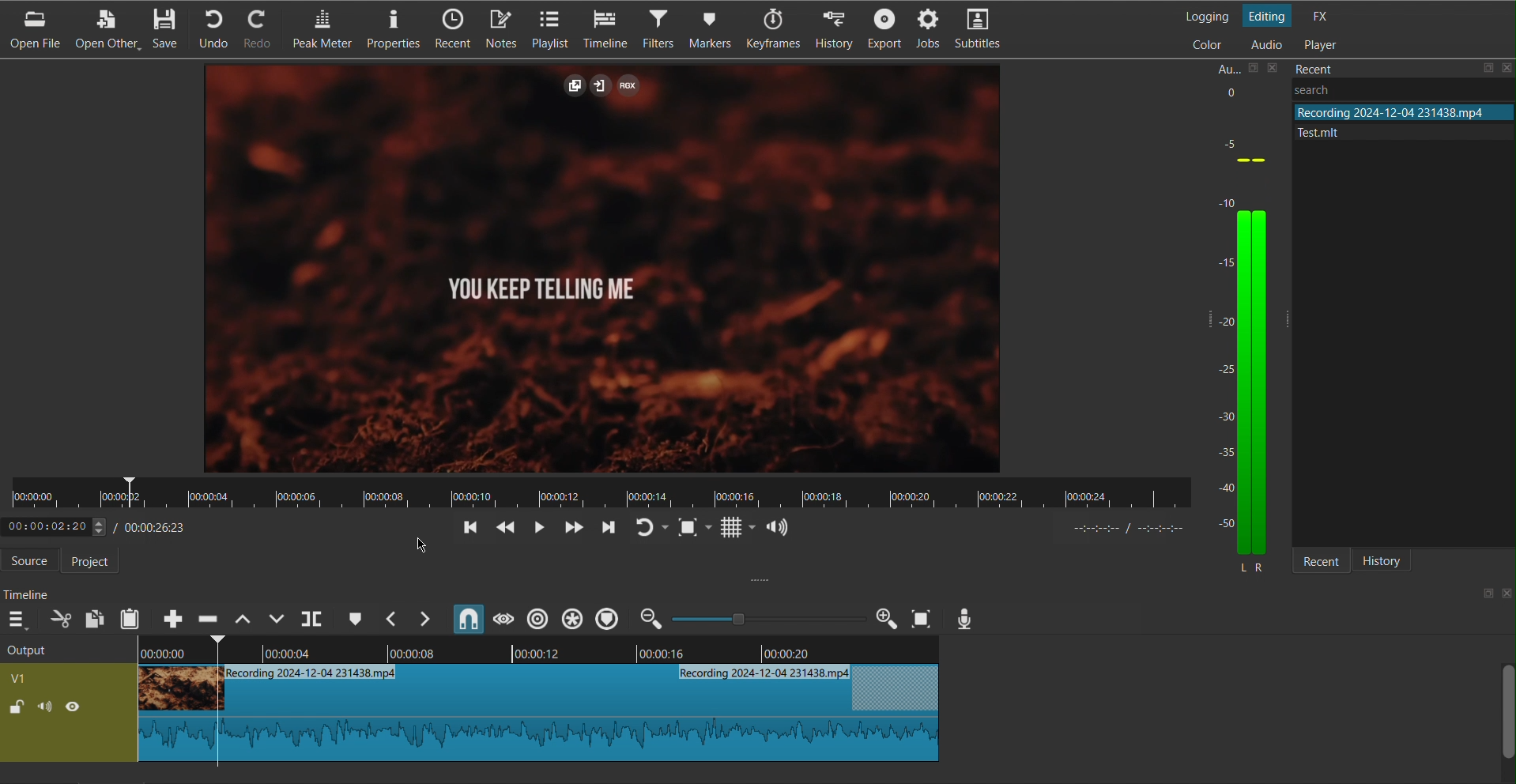  I want to click on Ripple, so click(539, 618).